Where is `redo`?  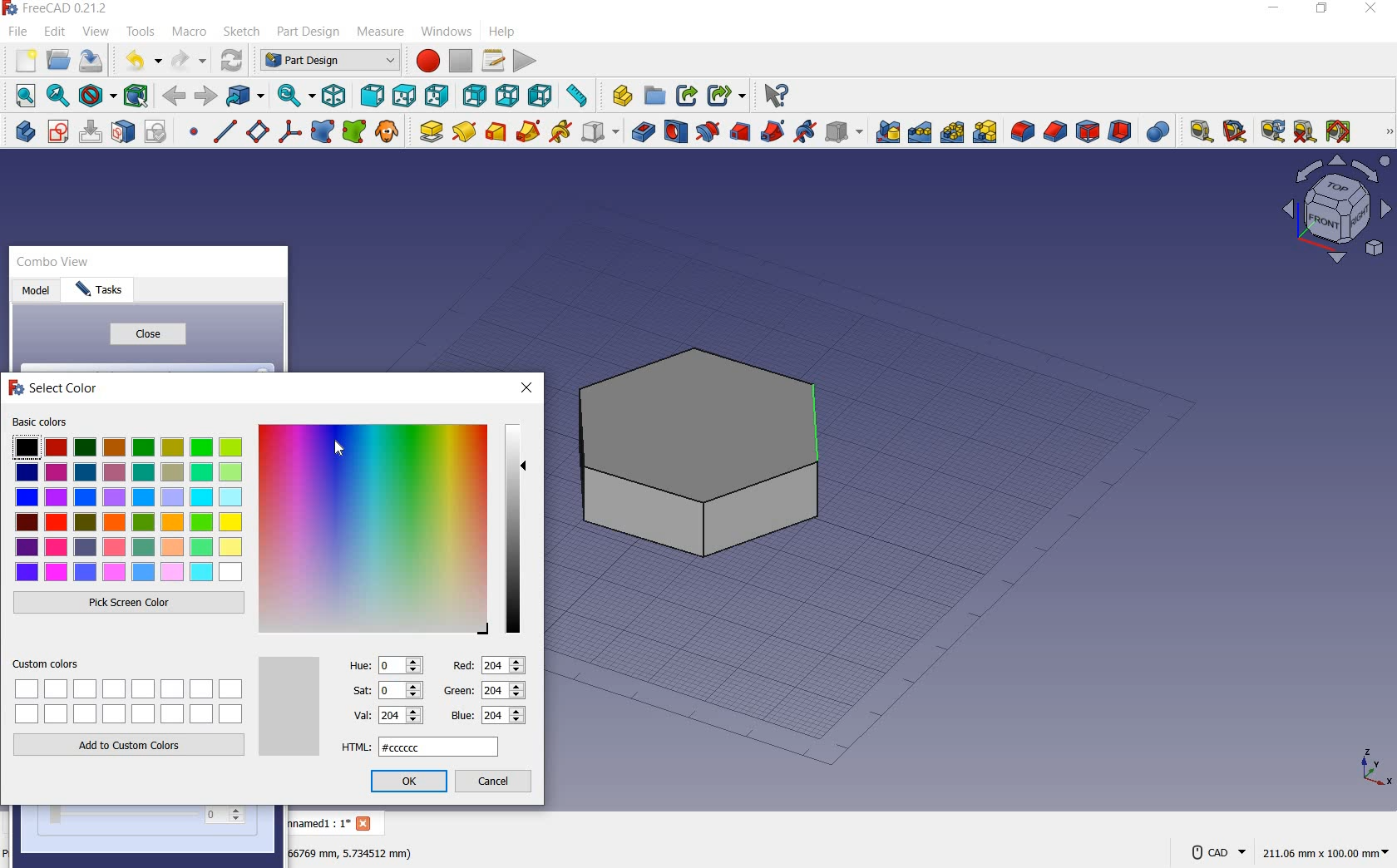
redo is located at coordinates (189, 60).